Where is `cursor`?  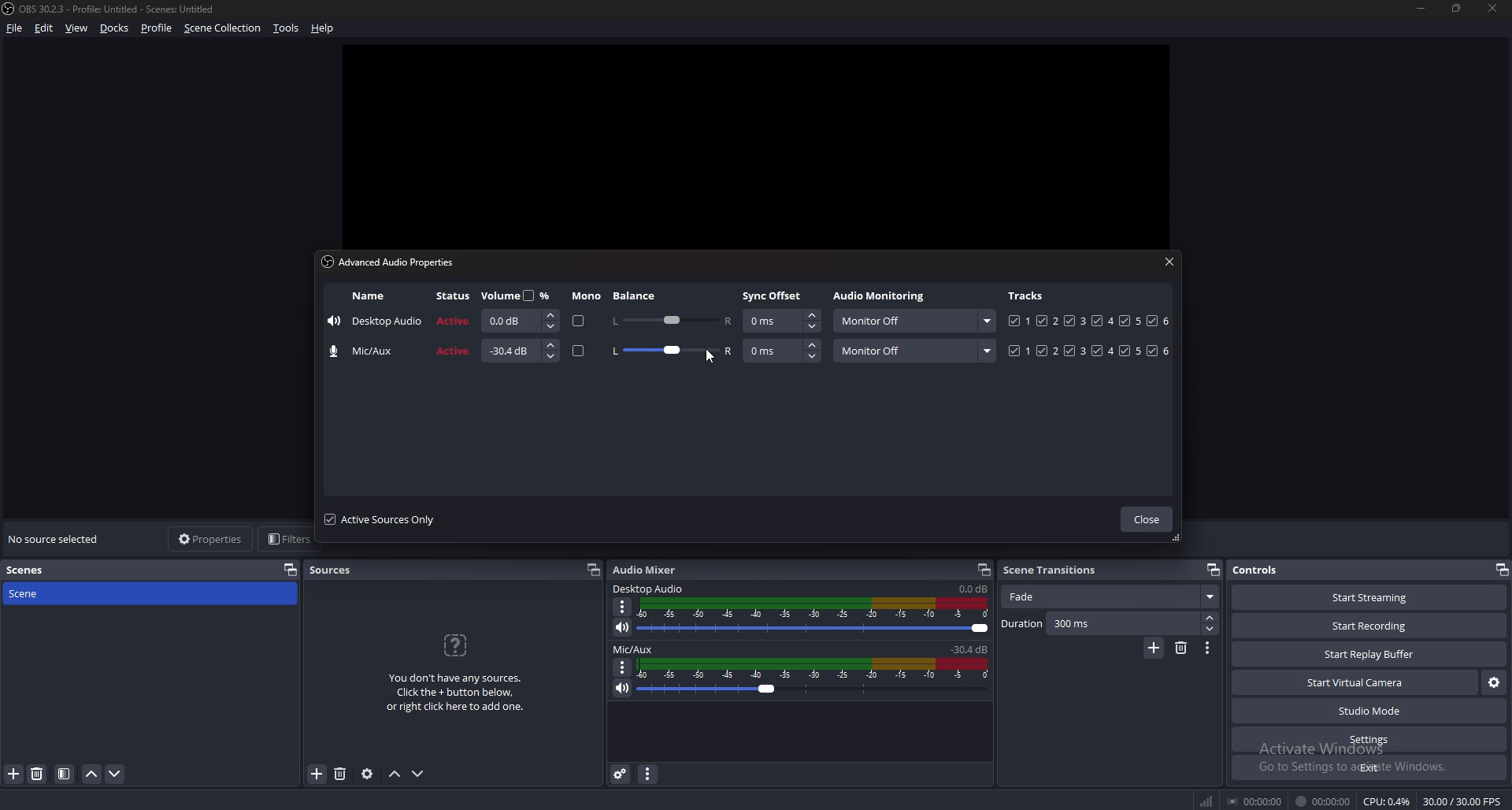
cursor is located at coordinates (712, 358).